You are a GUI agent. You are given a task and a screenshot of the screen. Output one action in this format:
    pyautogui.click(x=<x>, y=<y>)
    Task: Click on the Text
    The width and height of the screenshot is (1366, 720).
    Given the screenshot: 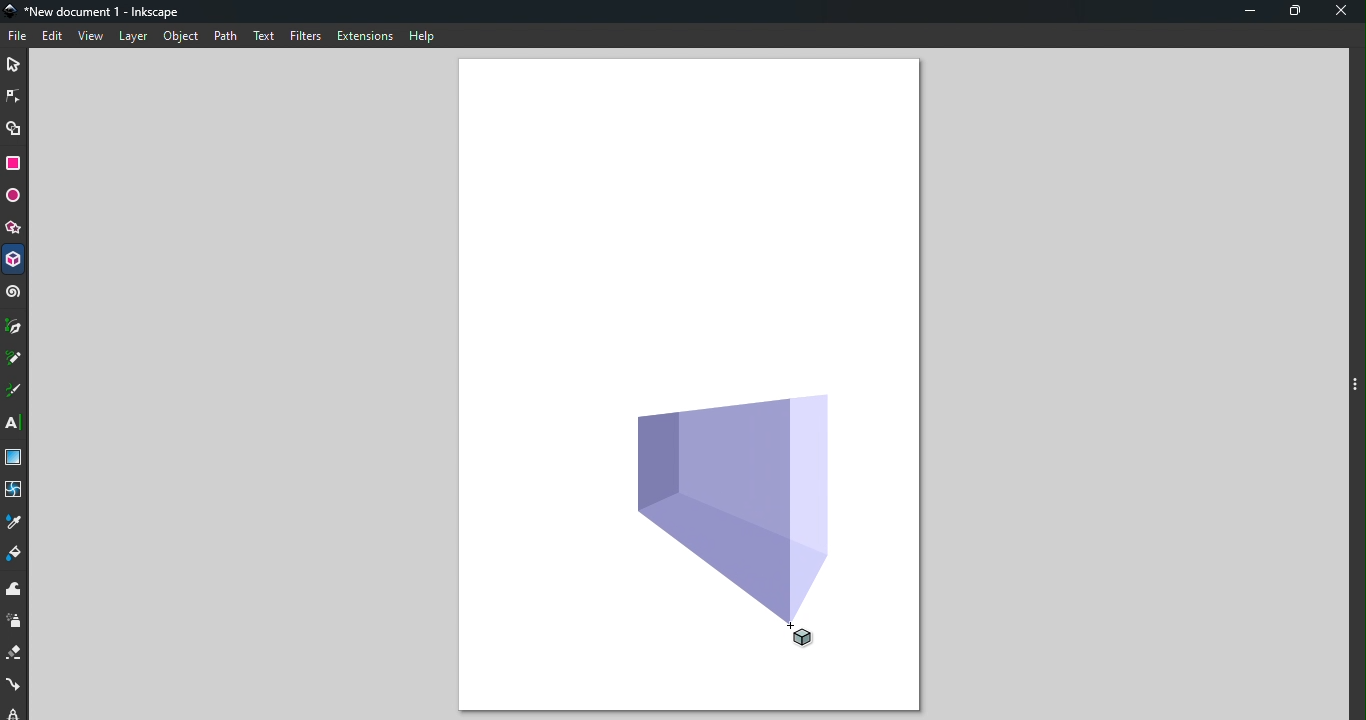 What is the action you would take?
    pyautogui.click(x=265, y=37)
    